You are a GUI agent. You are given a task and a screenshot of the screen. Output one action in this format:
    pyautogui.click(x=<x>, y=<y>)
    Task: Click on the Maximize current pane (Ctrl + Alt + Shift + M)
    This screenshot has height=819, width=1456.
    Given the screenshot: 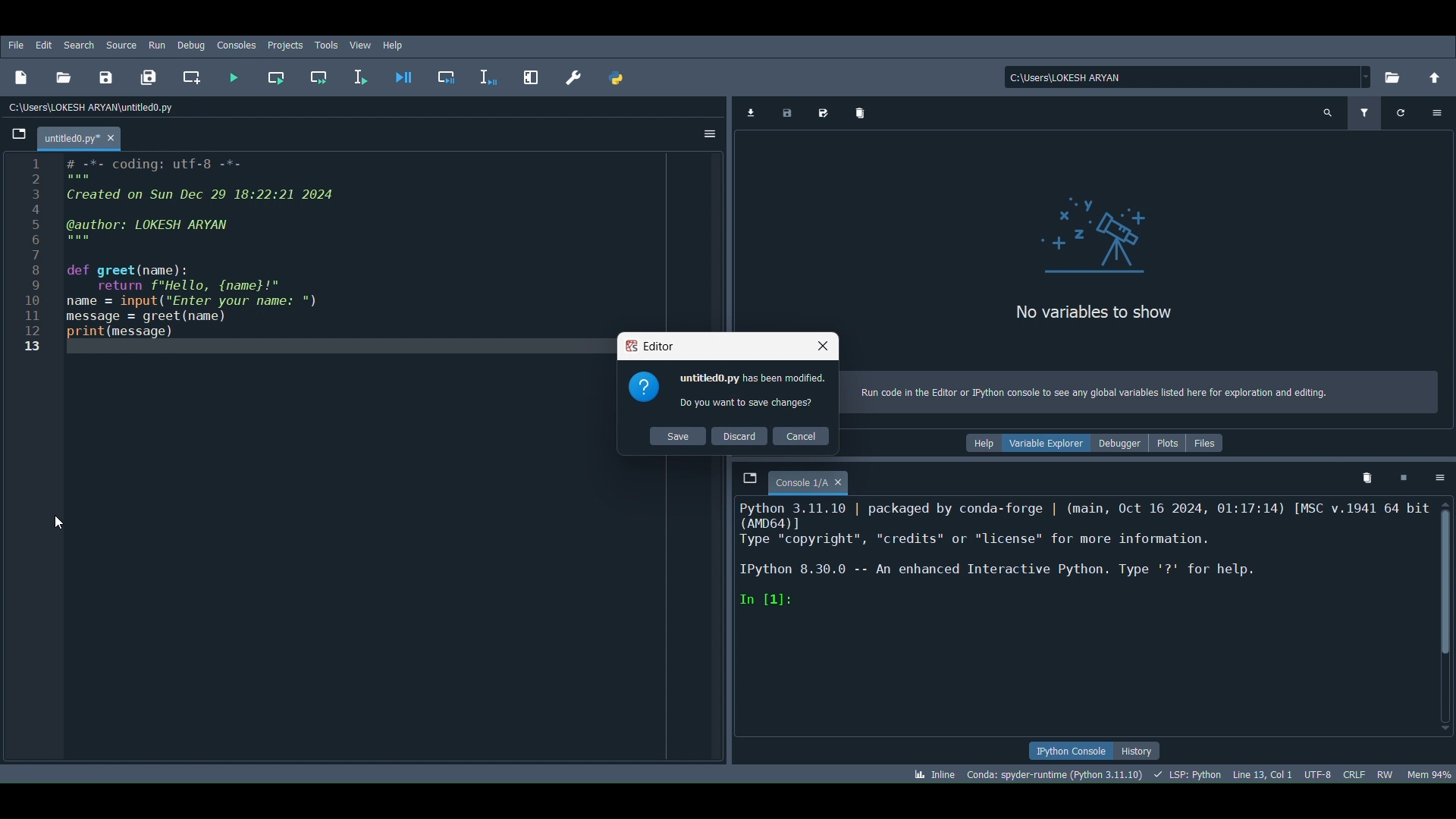 What is the action you would take?
    pyautogui.click(x=528, y=75)
    